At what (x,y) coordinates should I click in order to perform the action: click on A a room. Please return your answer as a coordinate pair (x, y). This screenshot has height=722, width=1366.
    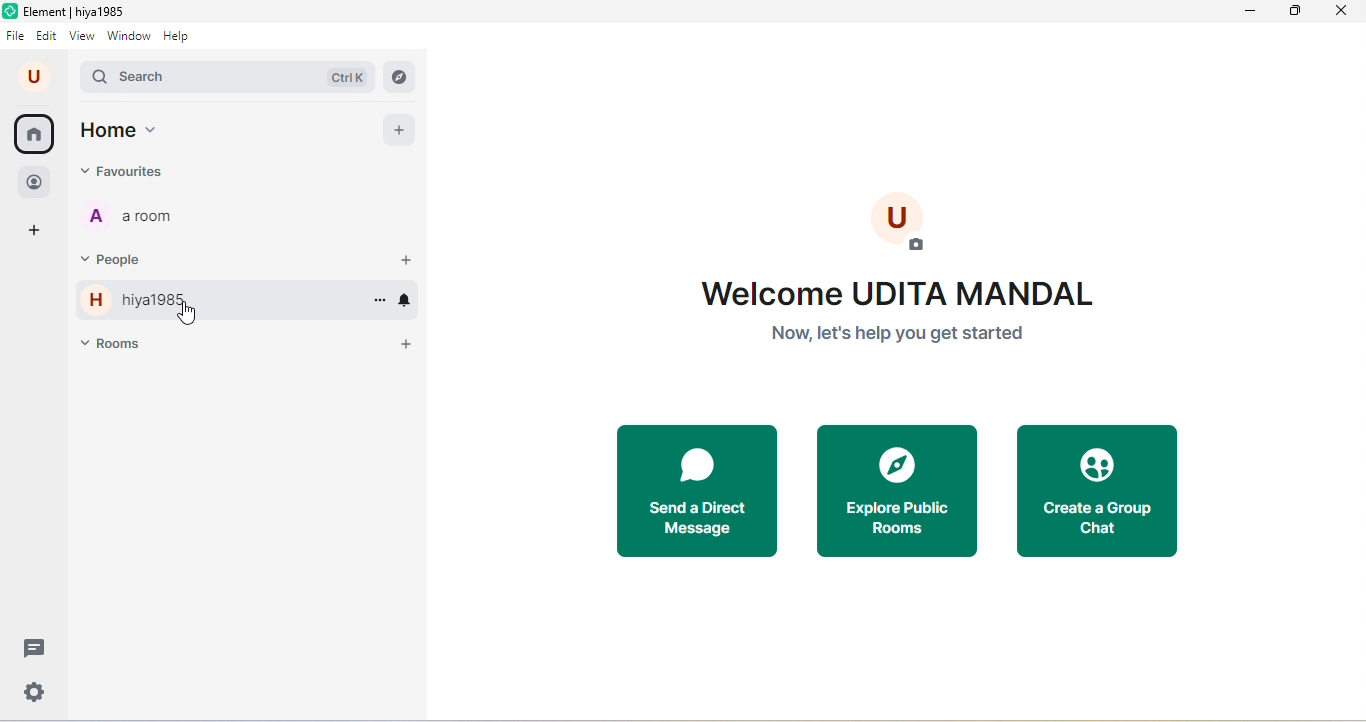
    Looking at the image, I should click on (142, 216).